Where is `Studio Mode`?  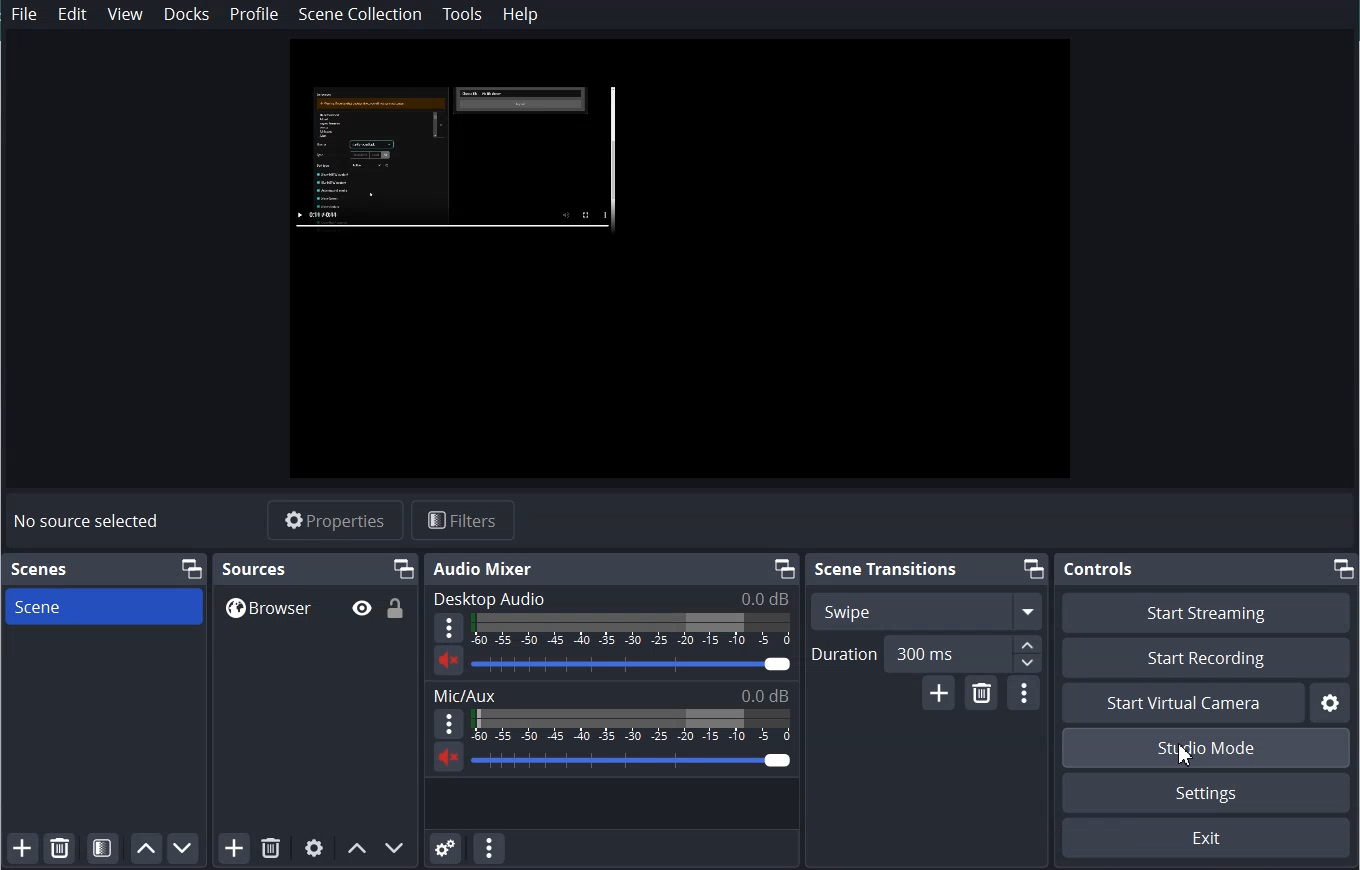 Studio Mode is located at coordinates (1205, 747).